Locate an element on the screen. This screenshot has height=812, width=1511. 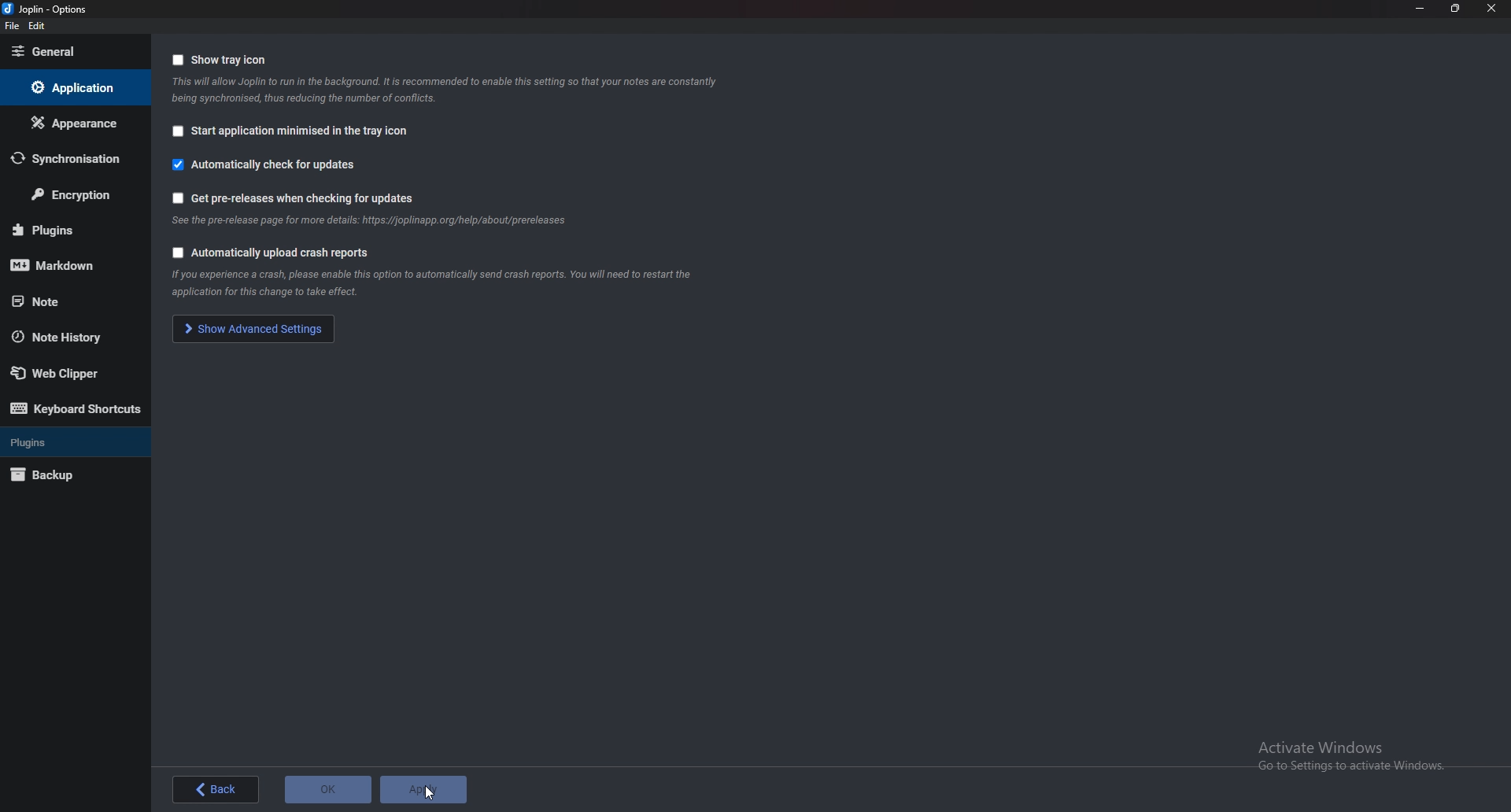
Web Clipper is located at coordinates (72, 373).